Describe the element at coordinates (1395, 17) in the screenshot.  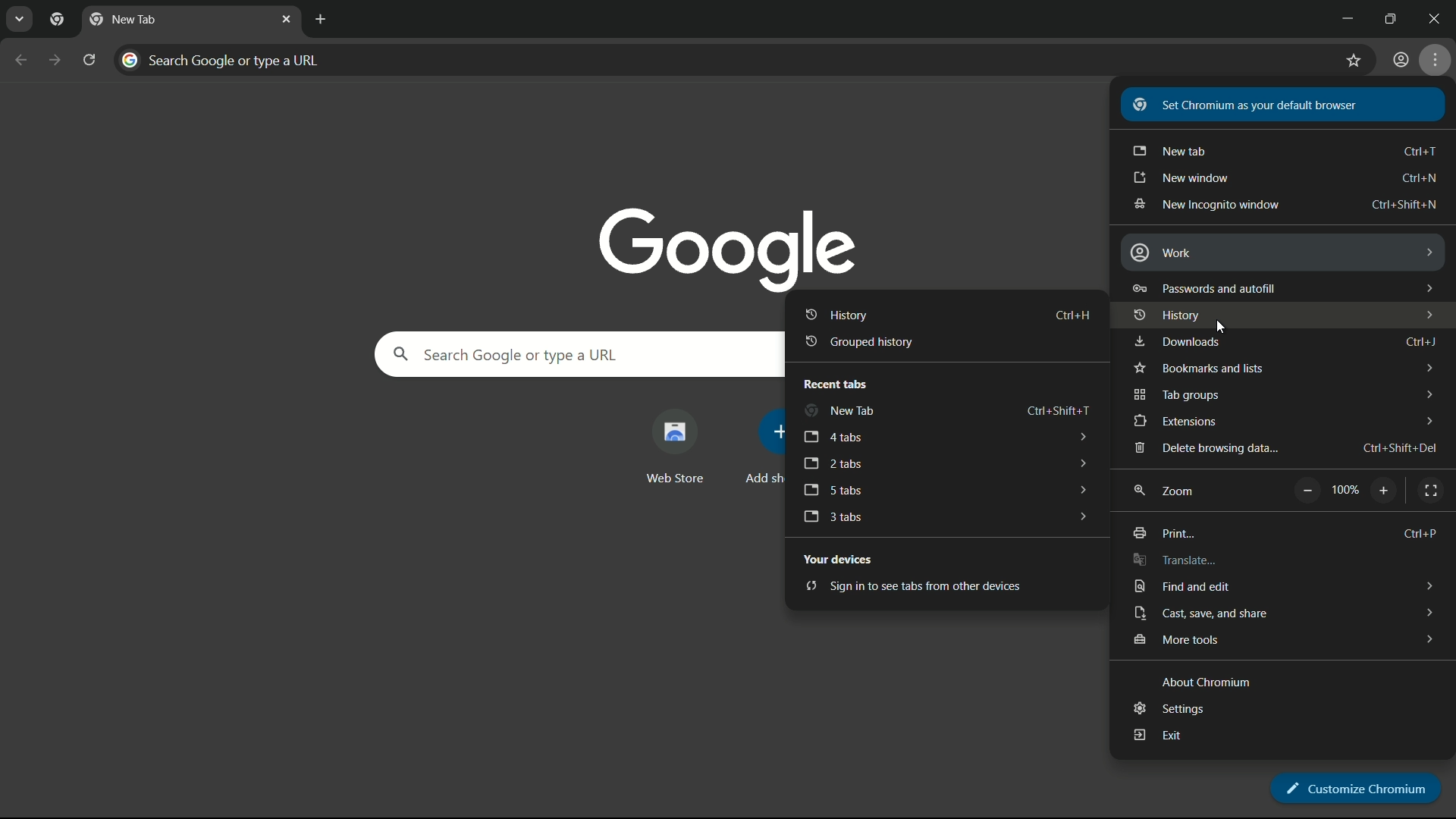
I see `maximize or restore` at that location.